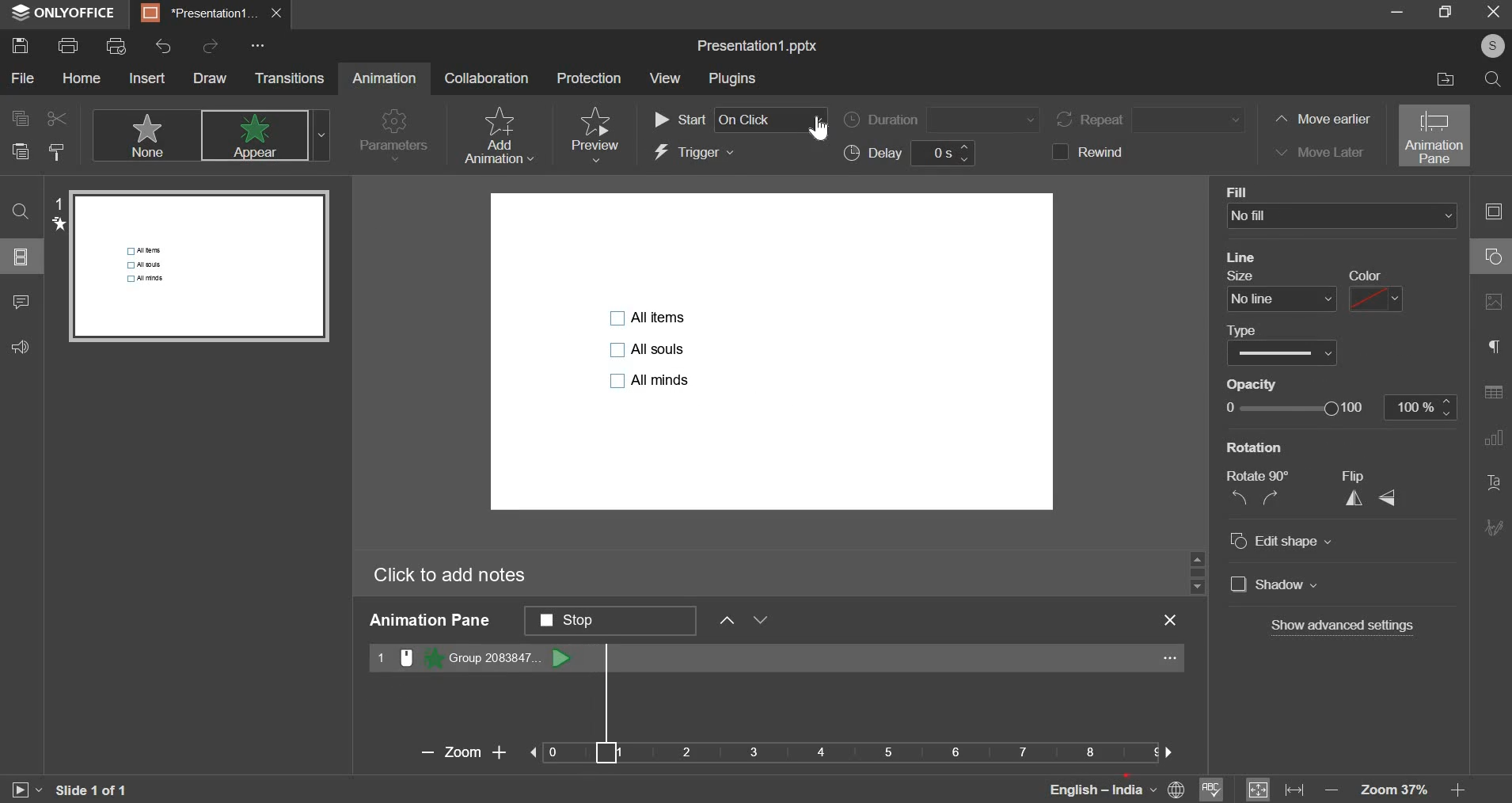 The height and width of the screenshot is (803, 1512). I want to click on file location, so click(1439, 79).